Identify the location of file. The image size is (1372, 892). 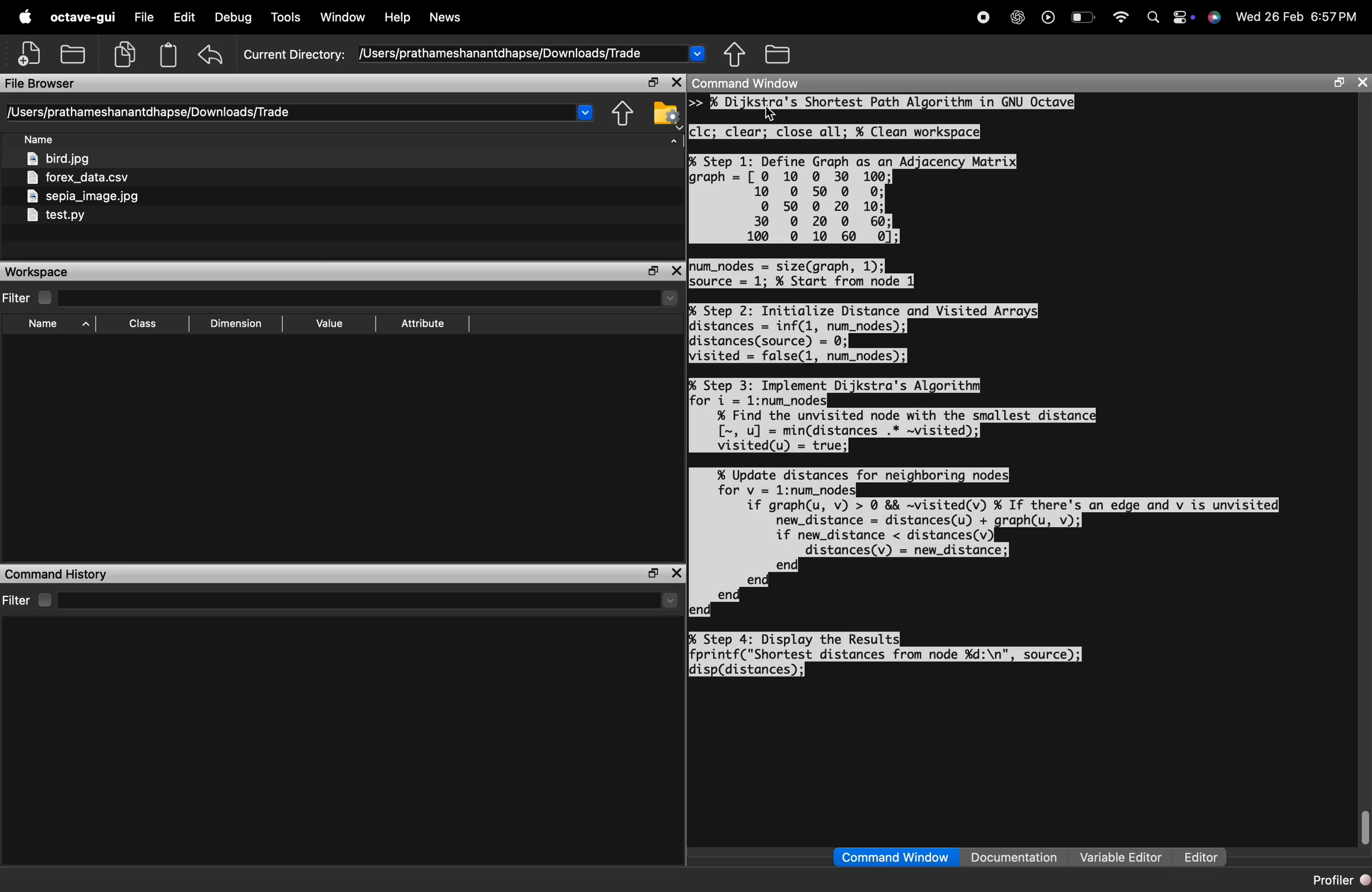
(143, 17).